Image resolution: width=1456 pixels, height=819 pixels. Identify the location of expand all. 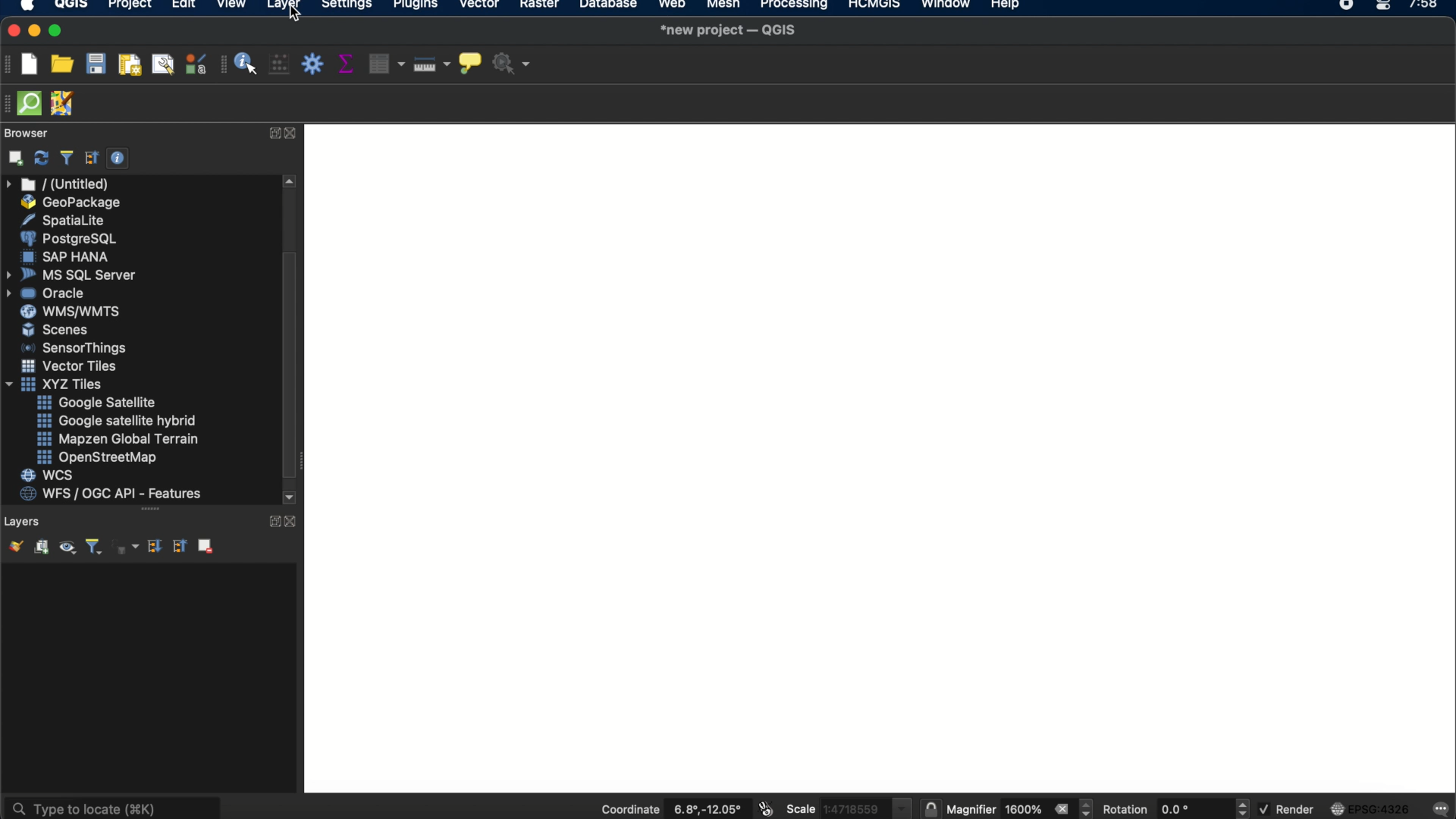
(152, 547).